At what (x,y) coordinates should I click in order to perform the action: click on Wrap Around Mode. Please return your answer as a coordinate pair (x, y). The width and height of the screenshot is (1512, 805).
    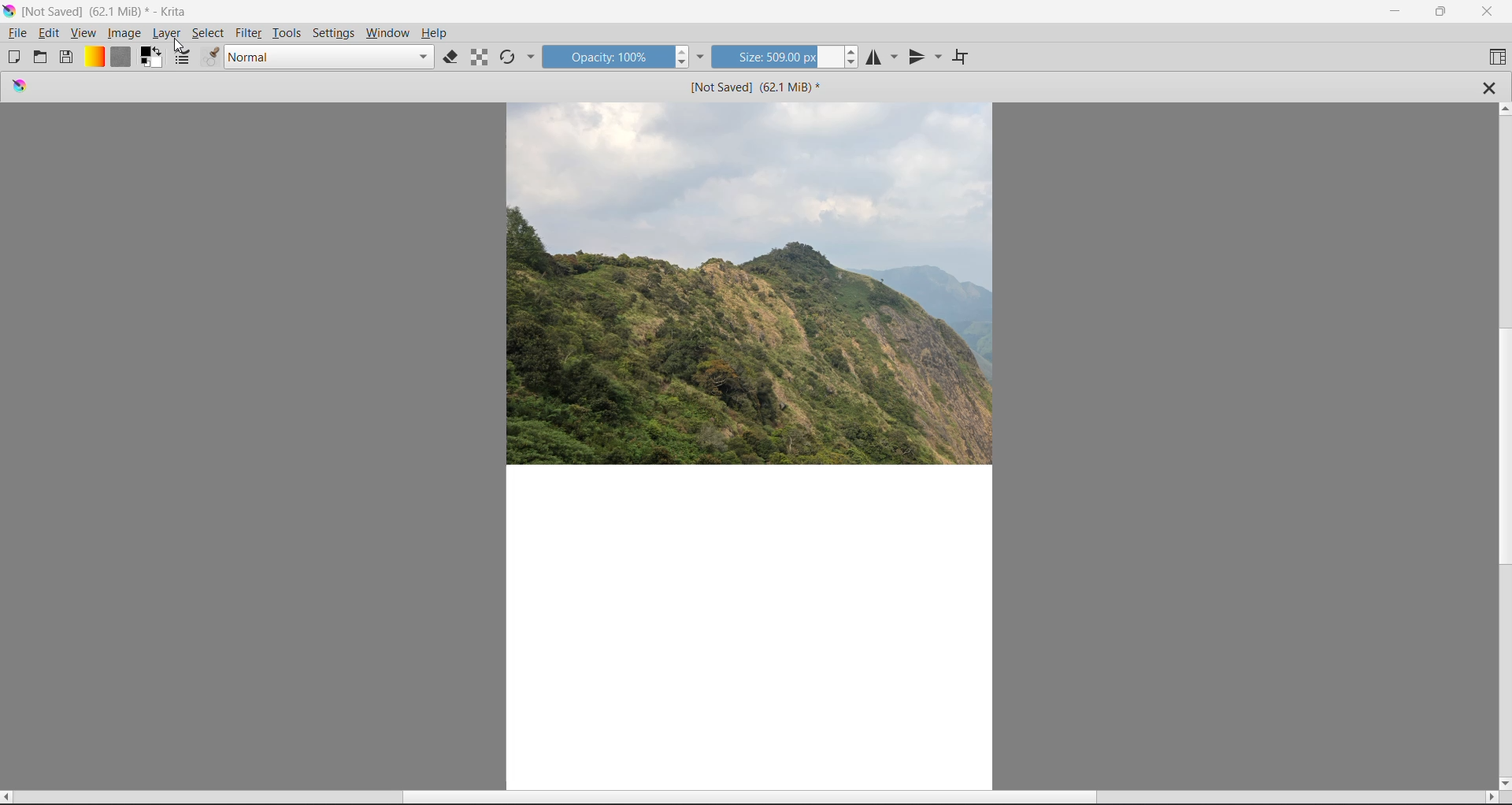
    Looking at the image, I should click on (961, 58).